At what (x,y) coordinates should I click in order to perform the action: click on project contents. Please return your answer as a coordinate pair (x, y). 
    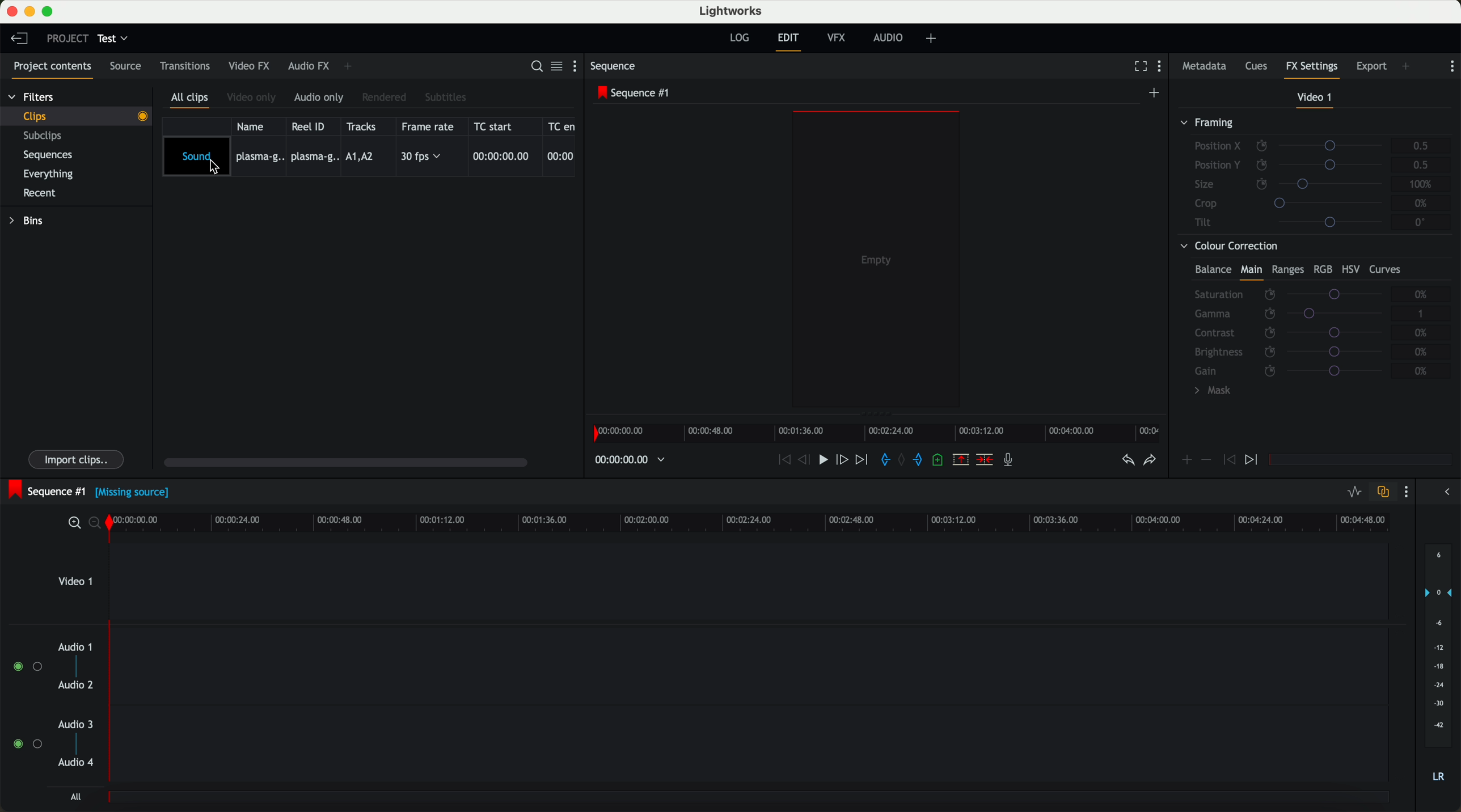
    Looking at the image, I should click on (49, 68).